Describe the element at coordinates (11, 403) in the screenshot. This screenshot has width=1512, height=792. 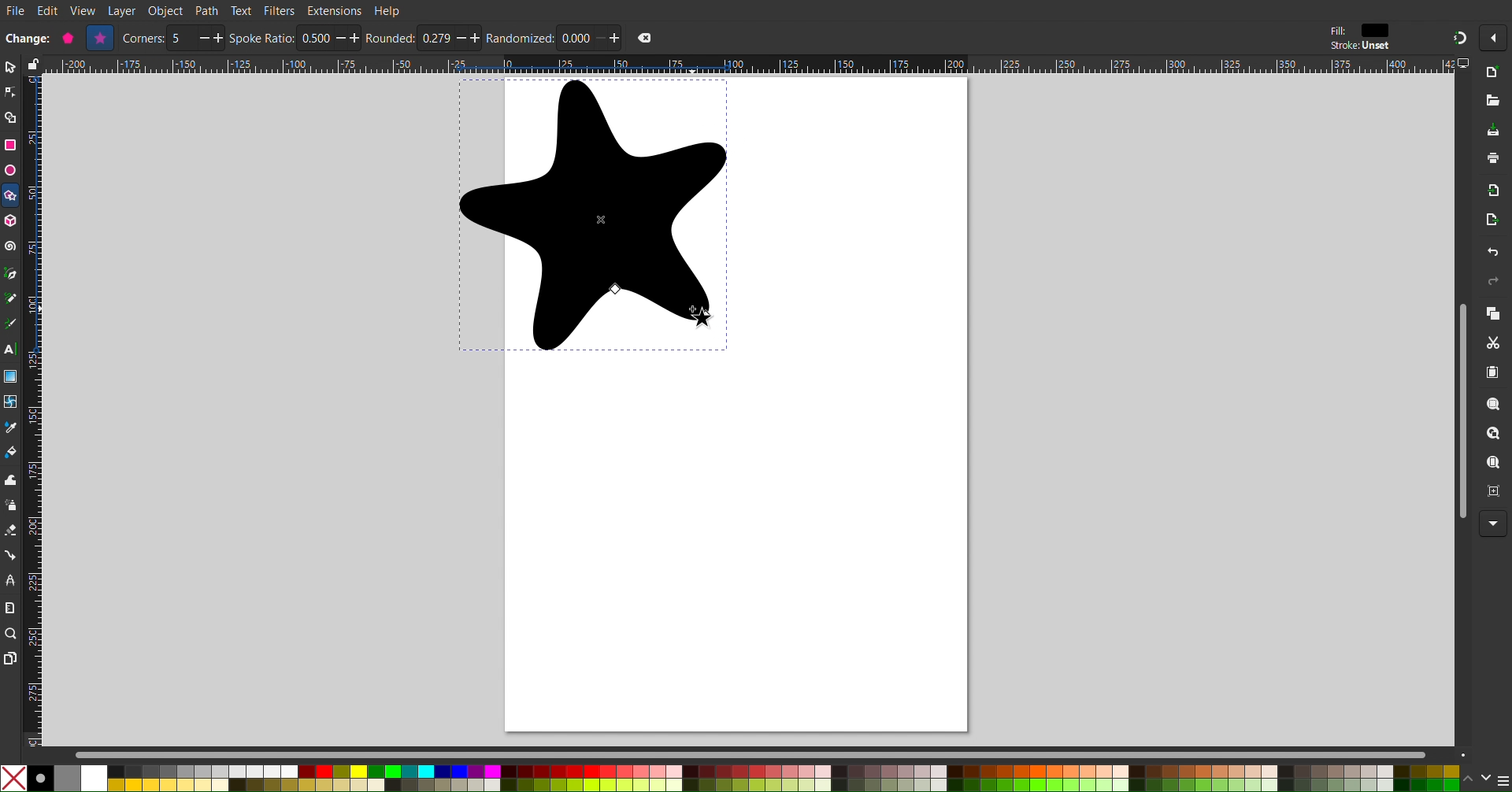
I see `Mesh Tool` at that location.